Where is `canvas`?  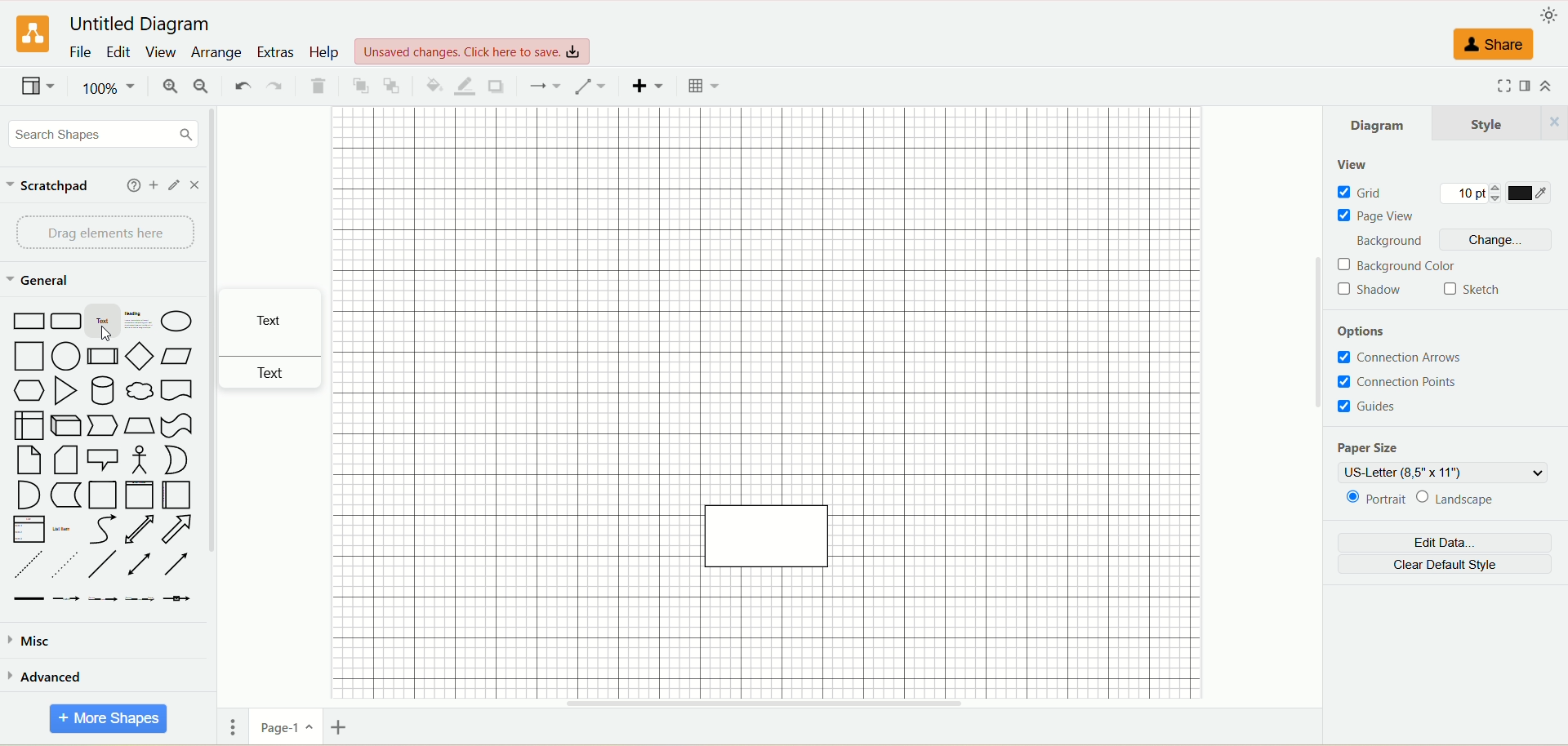 canvas is located at coordinates (807, 306).